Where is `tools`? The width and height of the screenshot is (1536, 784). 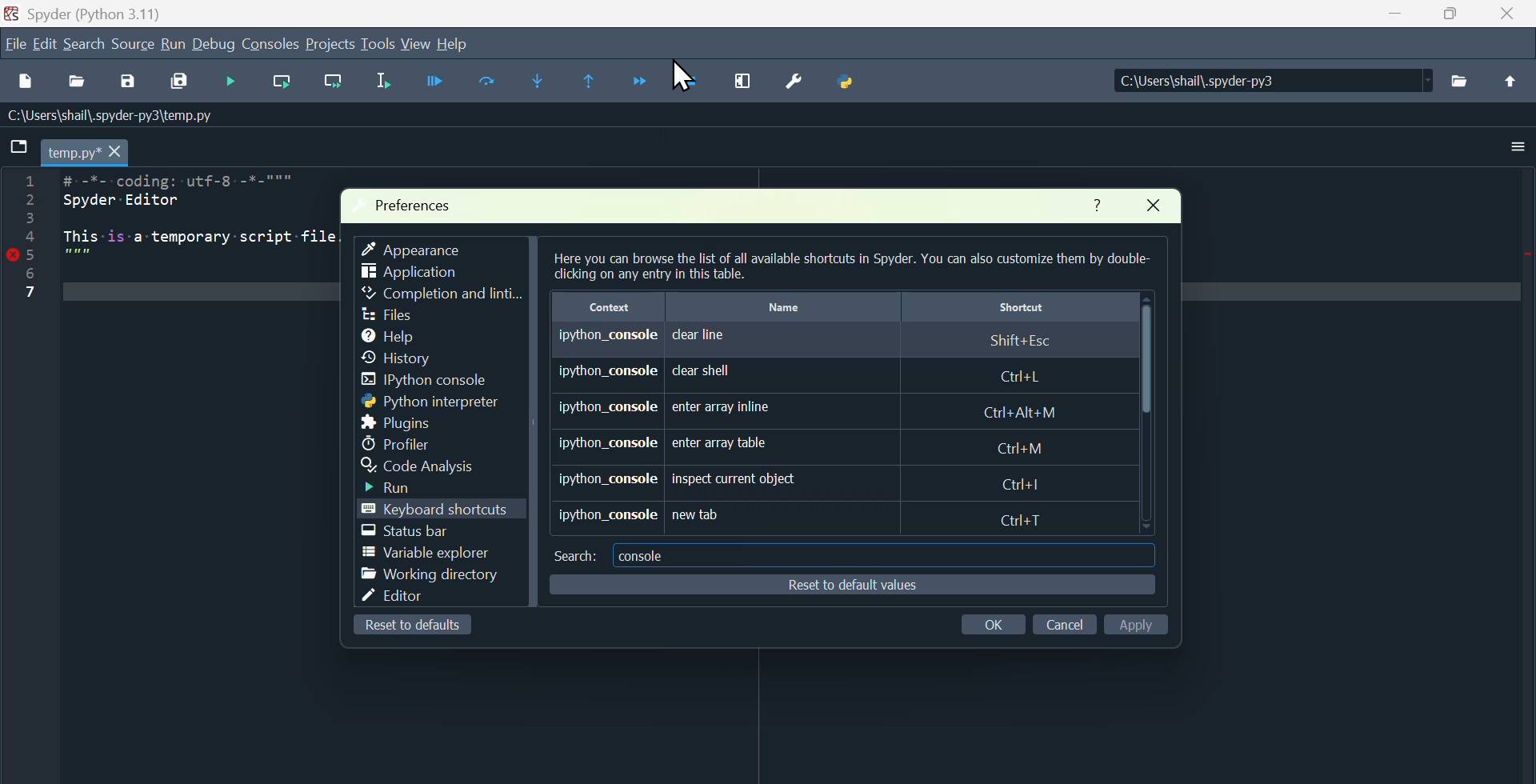
tools is located at coordinates (378, 44).